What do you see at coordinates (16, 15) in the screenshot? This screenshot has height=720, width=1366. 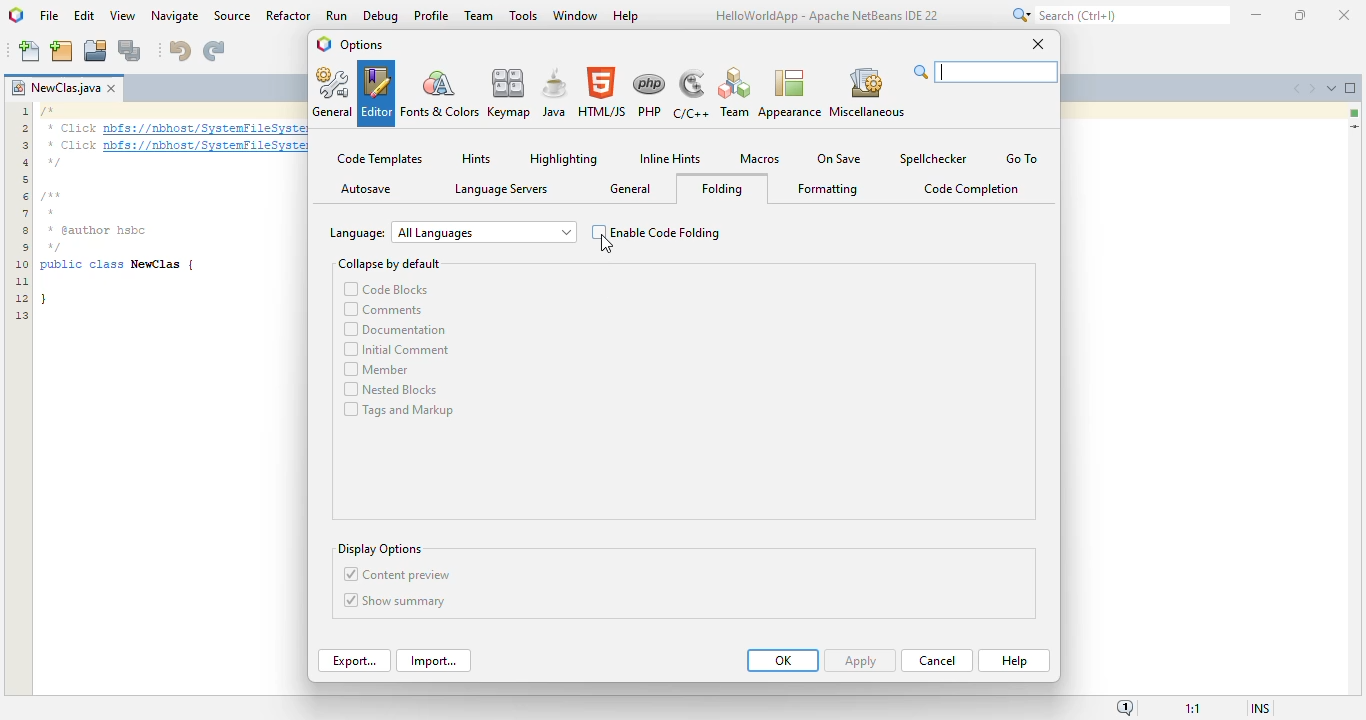 I see `logo` at bounding box center [16, 15].